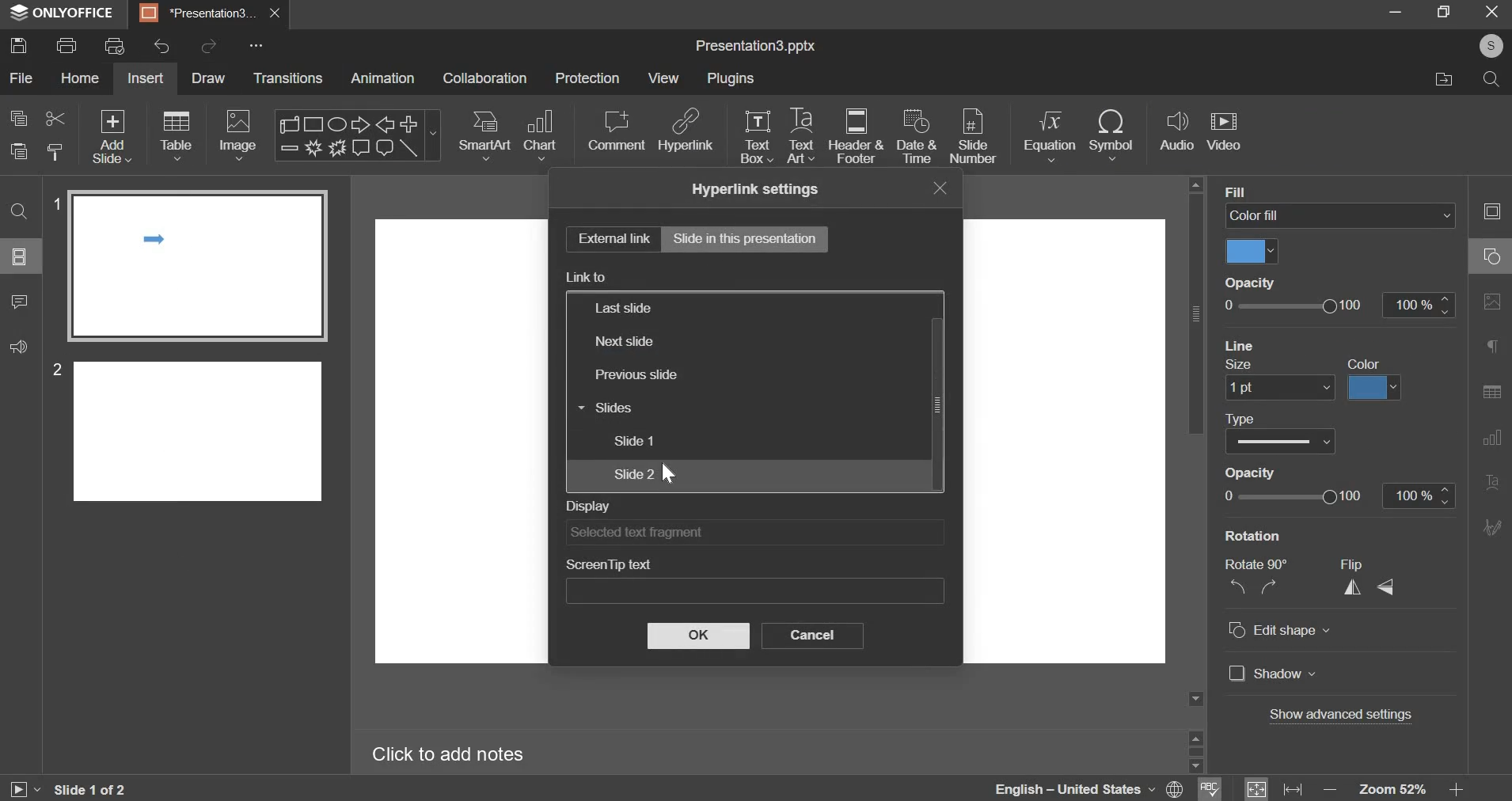  I want to click on Close, so click(935, 188).